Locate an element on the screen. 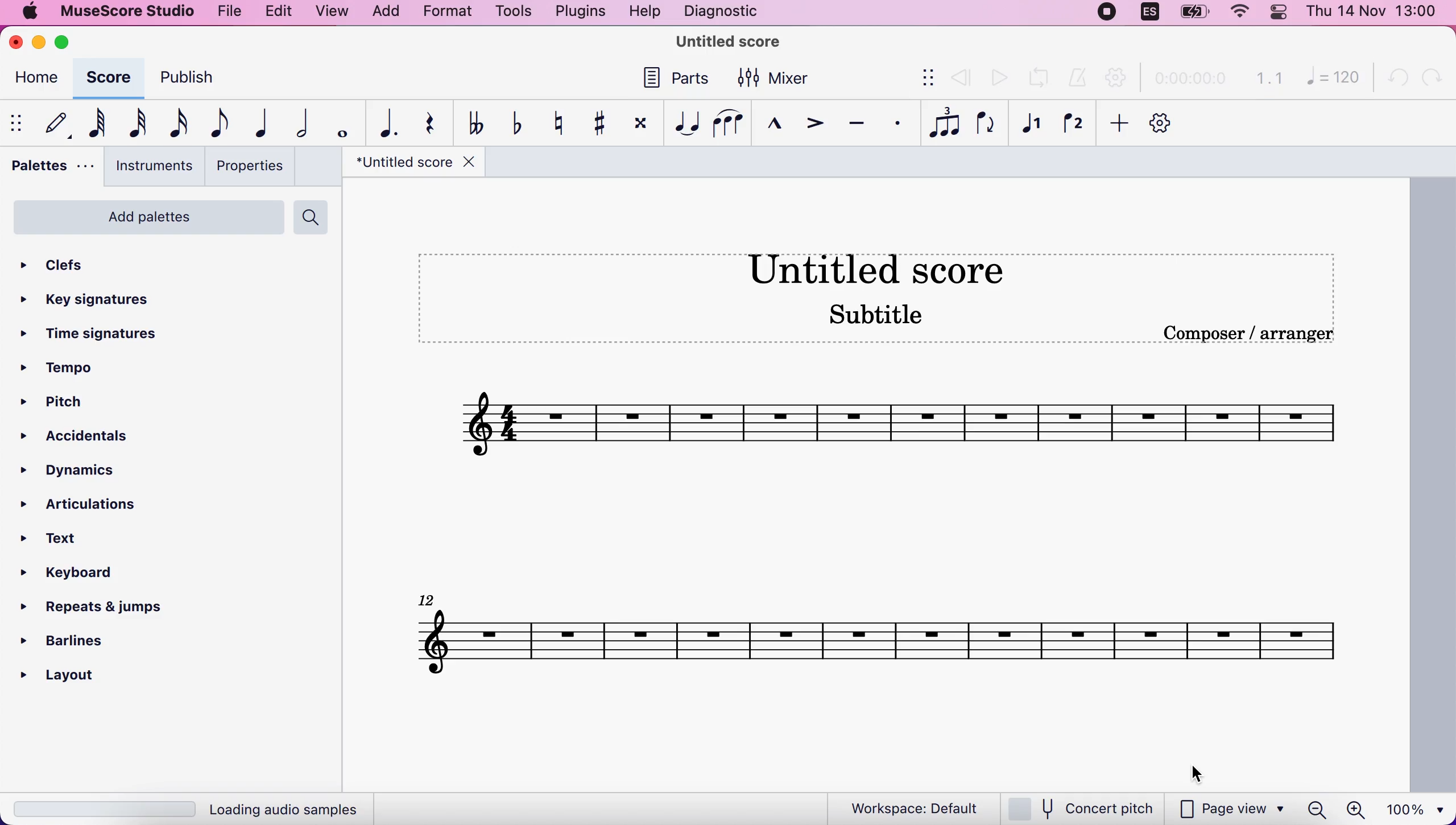 The height and width of the screenshot is (825, 1456). close is located at coordinates (17, 44).